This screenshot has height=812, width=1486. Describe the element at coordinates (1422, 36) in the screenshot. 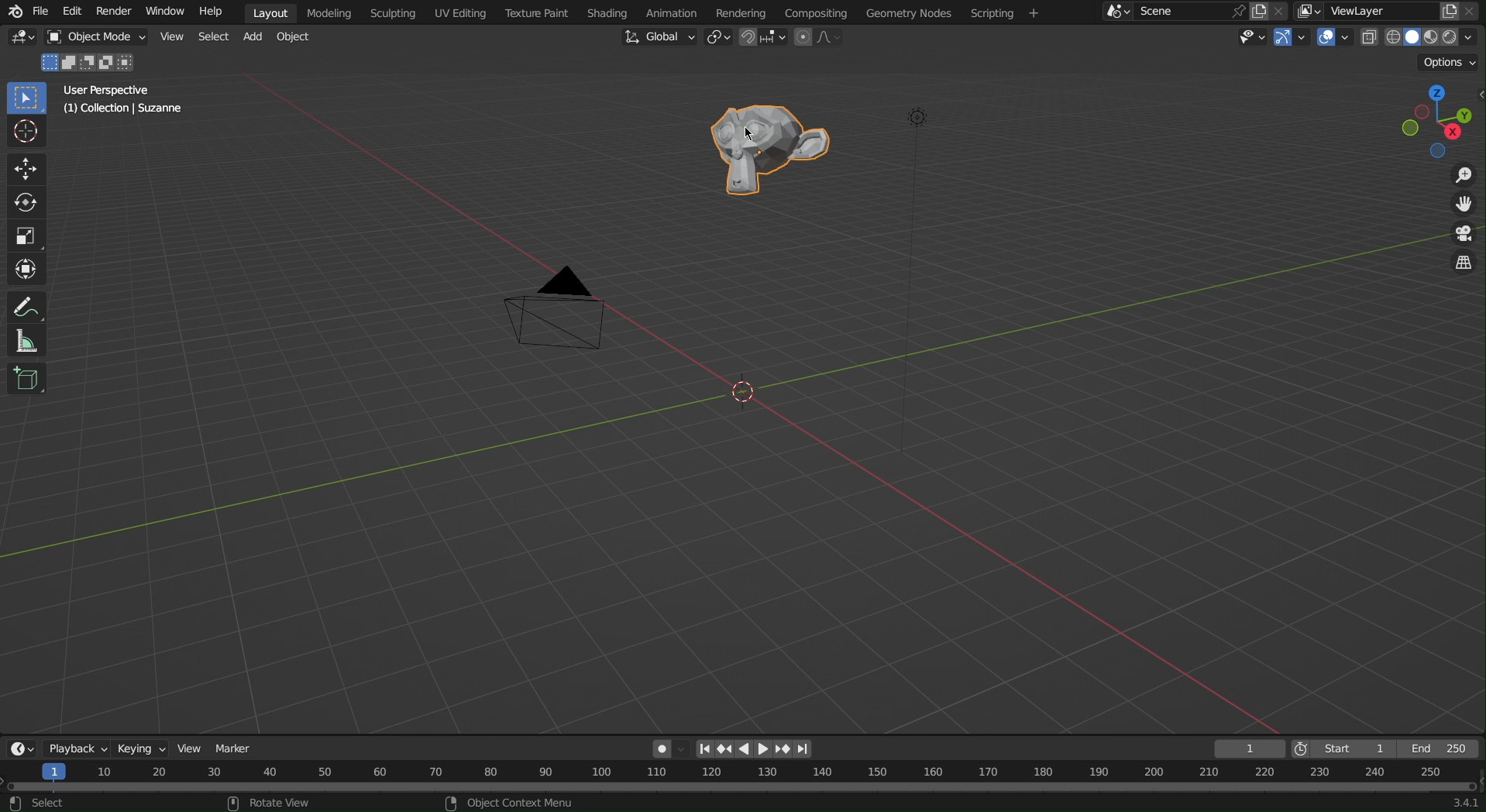

I see `Viewport Shading` at that location.